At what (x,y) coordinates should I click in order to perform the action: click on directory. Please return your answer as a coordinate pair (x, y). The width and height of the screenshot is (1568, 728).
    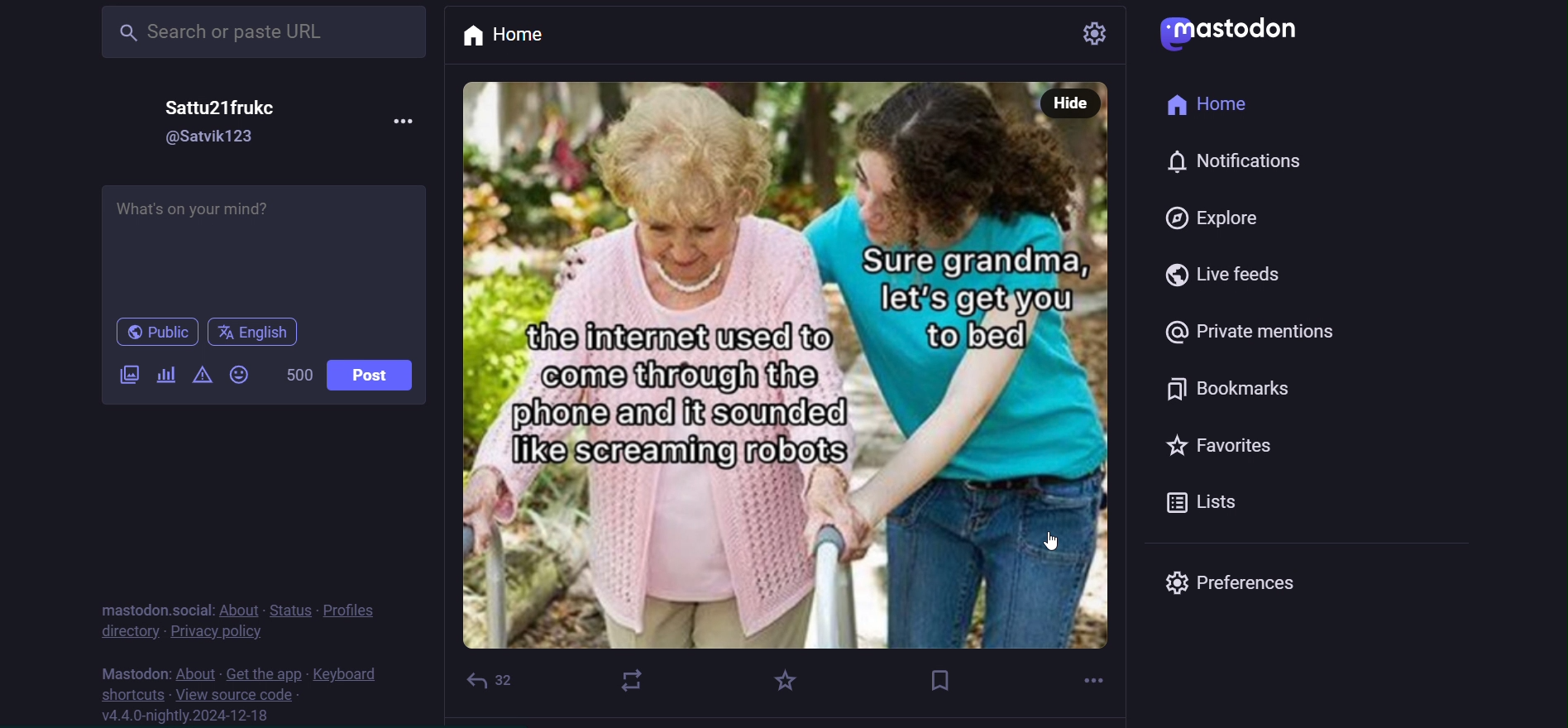
    Looking at the image, I should click on (129, 630).